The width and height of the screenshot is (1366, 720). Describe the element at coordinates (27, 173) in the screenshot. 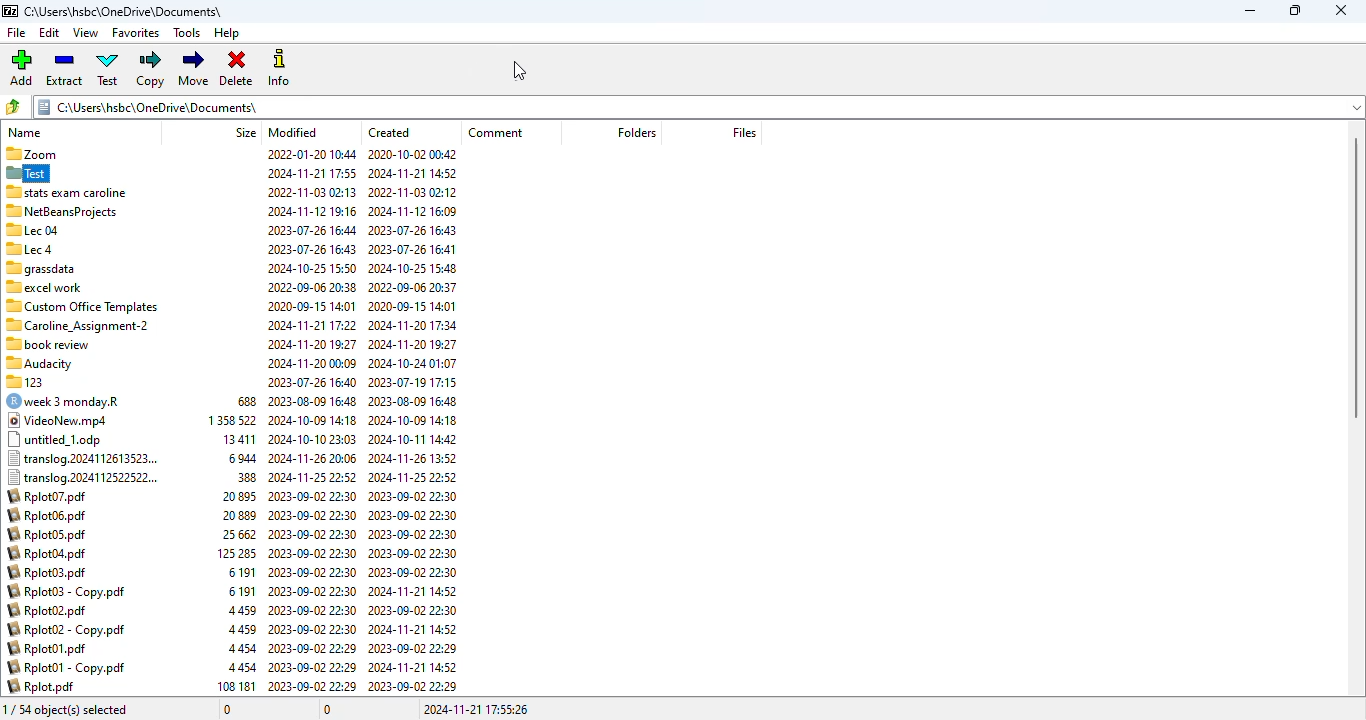

I see `Test` at that location.